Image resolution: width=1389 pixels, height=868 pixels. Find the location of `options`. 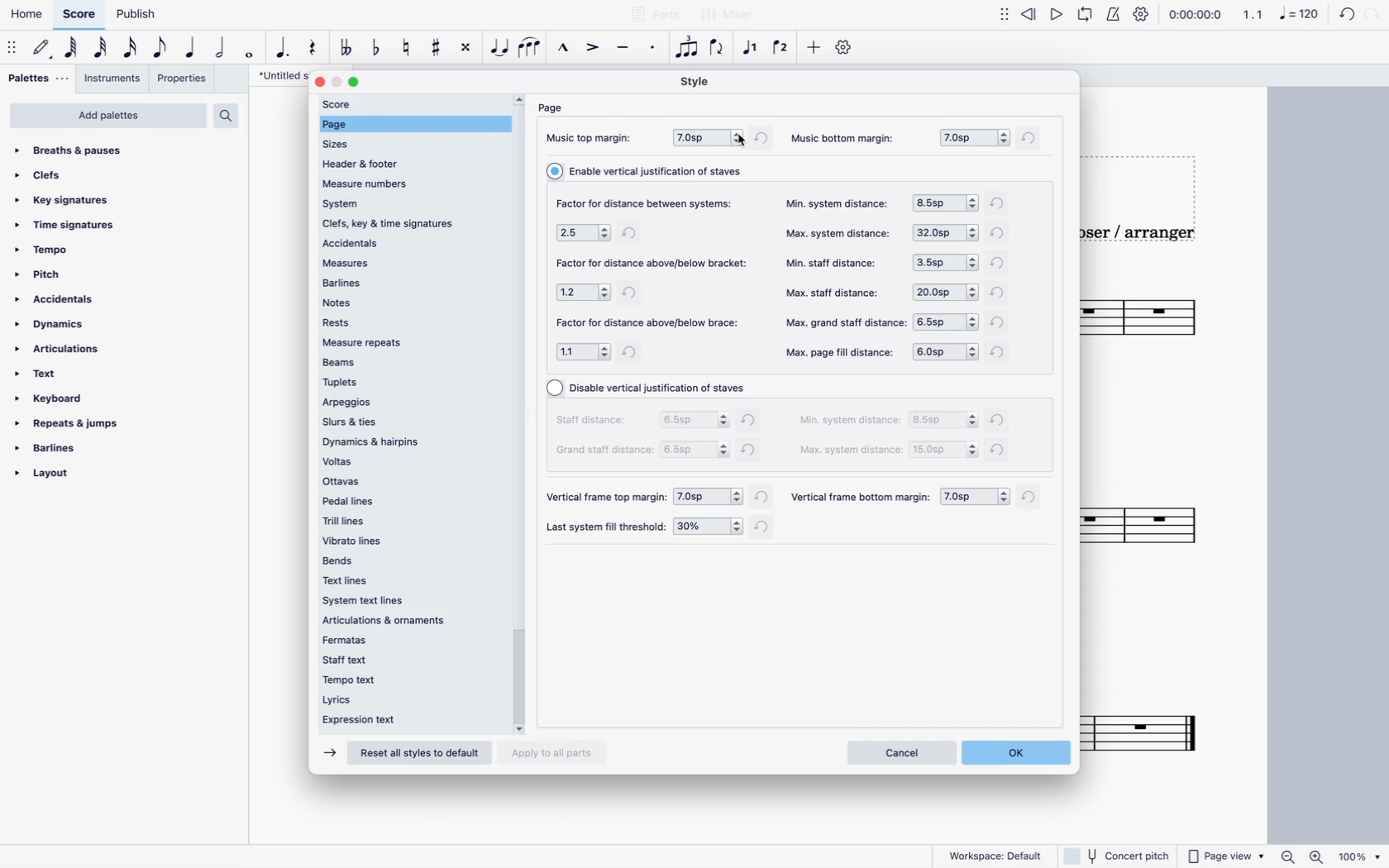

options is located at coordinates (694, 450).